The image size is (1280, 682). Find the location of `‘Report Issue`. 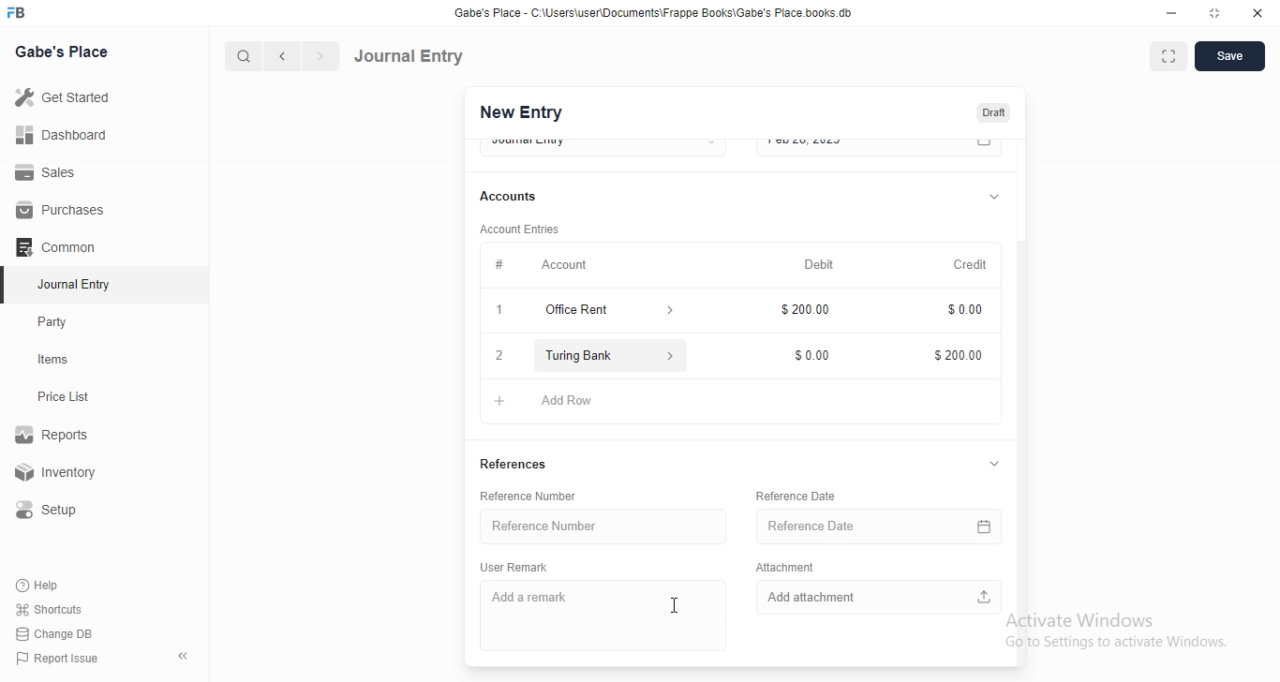

‘Report Issue is located at coordinates (55, 658).